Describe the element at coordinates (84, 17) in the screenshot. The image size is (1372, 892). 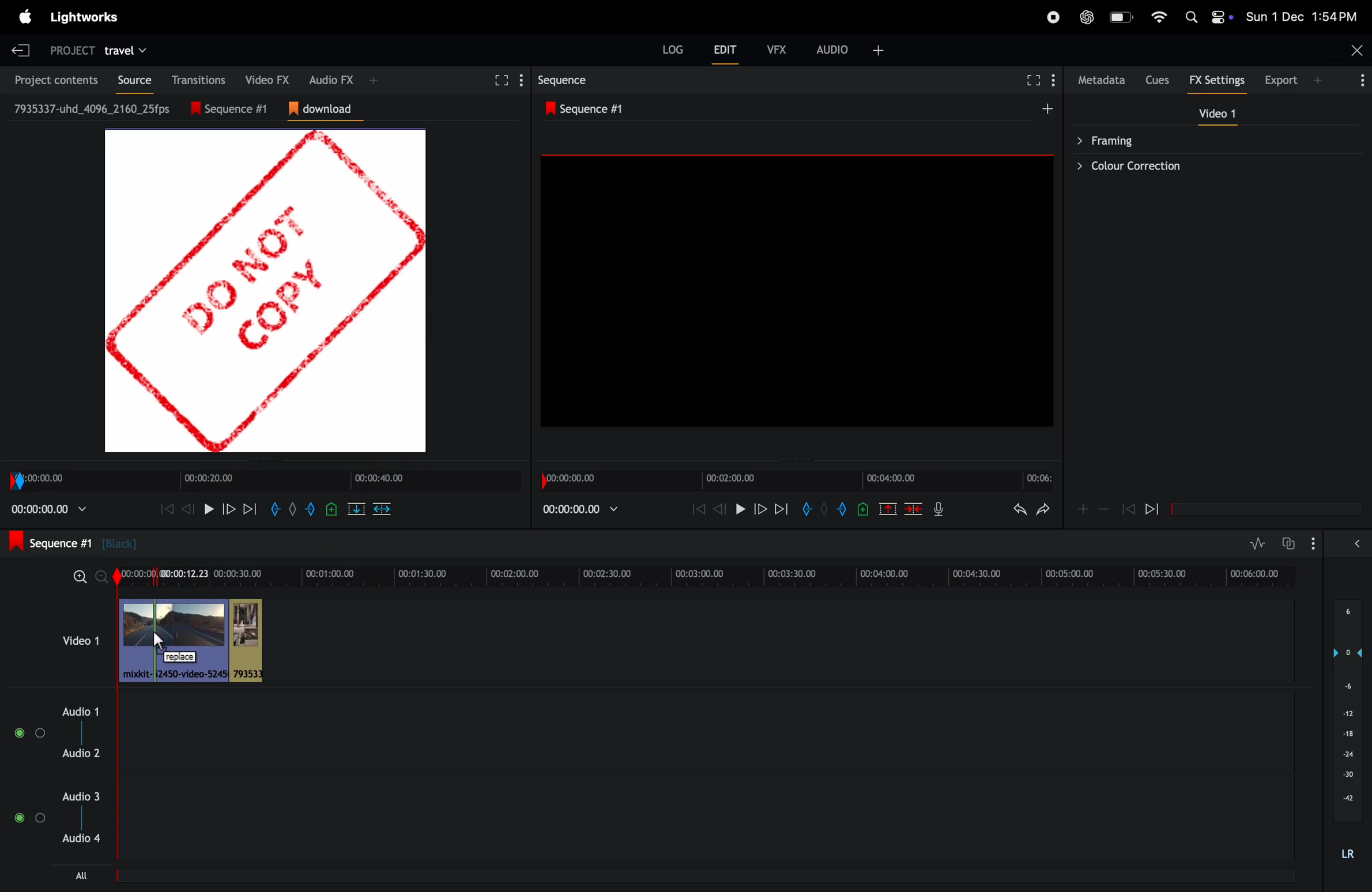
I see `lightworks` at that location.